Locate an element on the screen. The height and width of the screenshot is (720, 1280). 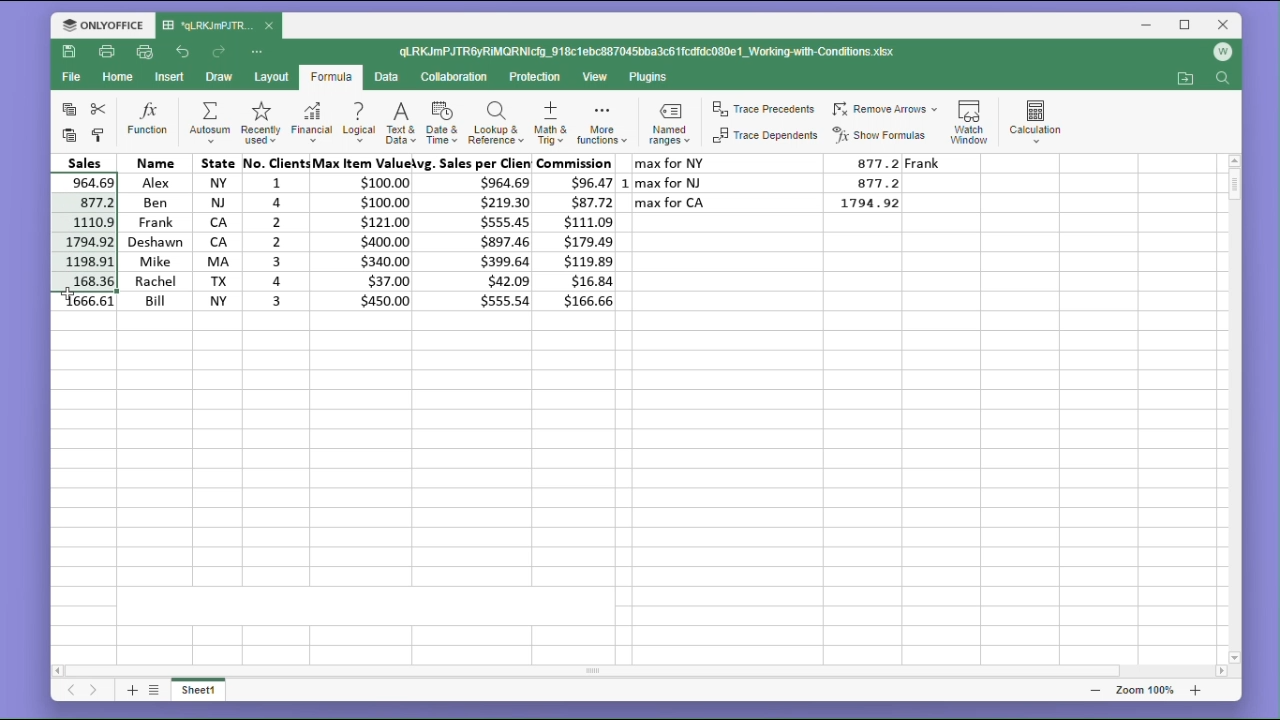
close is located at coordinates (1224, 24).